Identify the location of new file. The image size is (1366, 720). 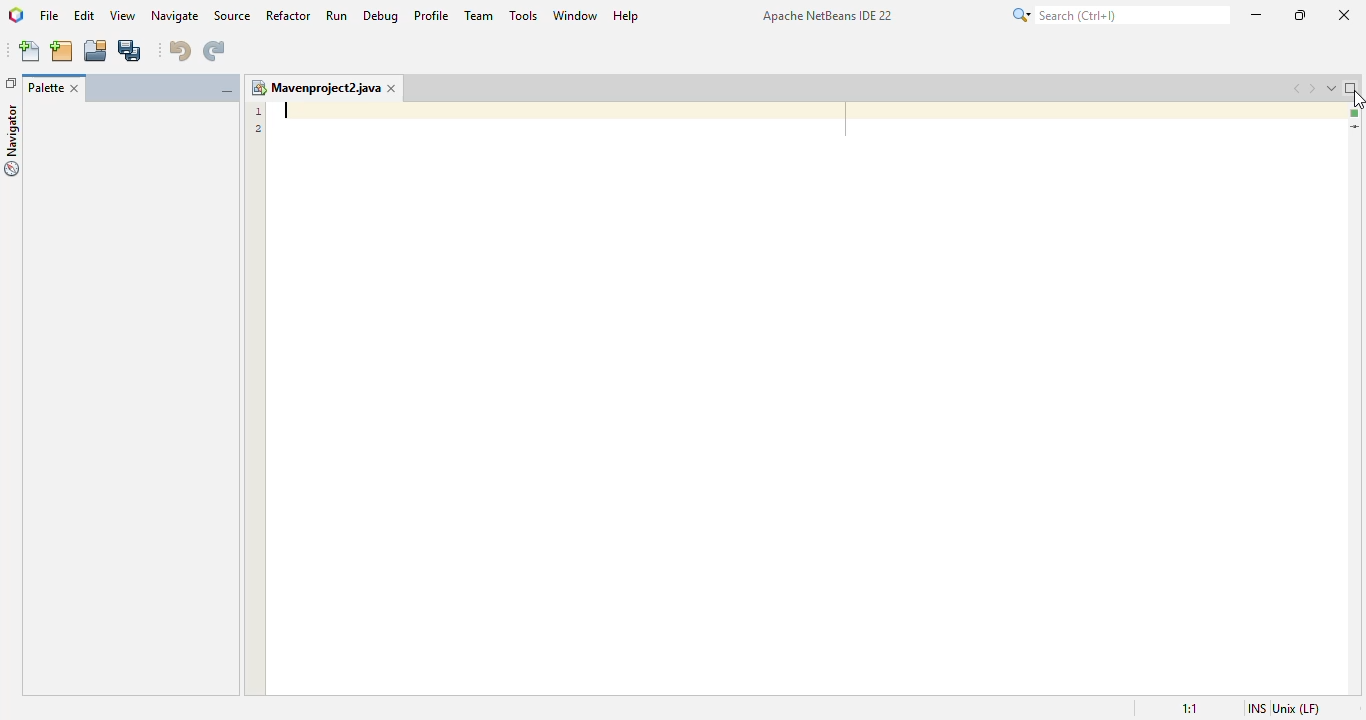
(29, 51).